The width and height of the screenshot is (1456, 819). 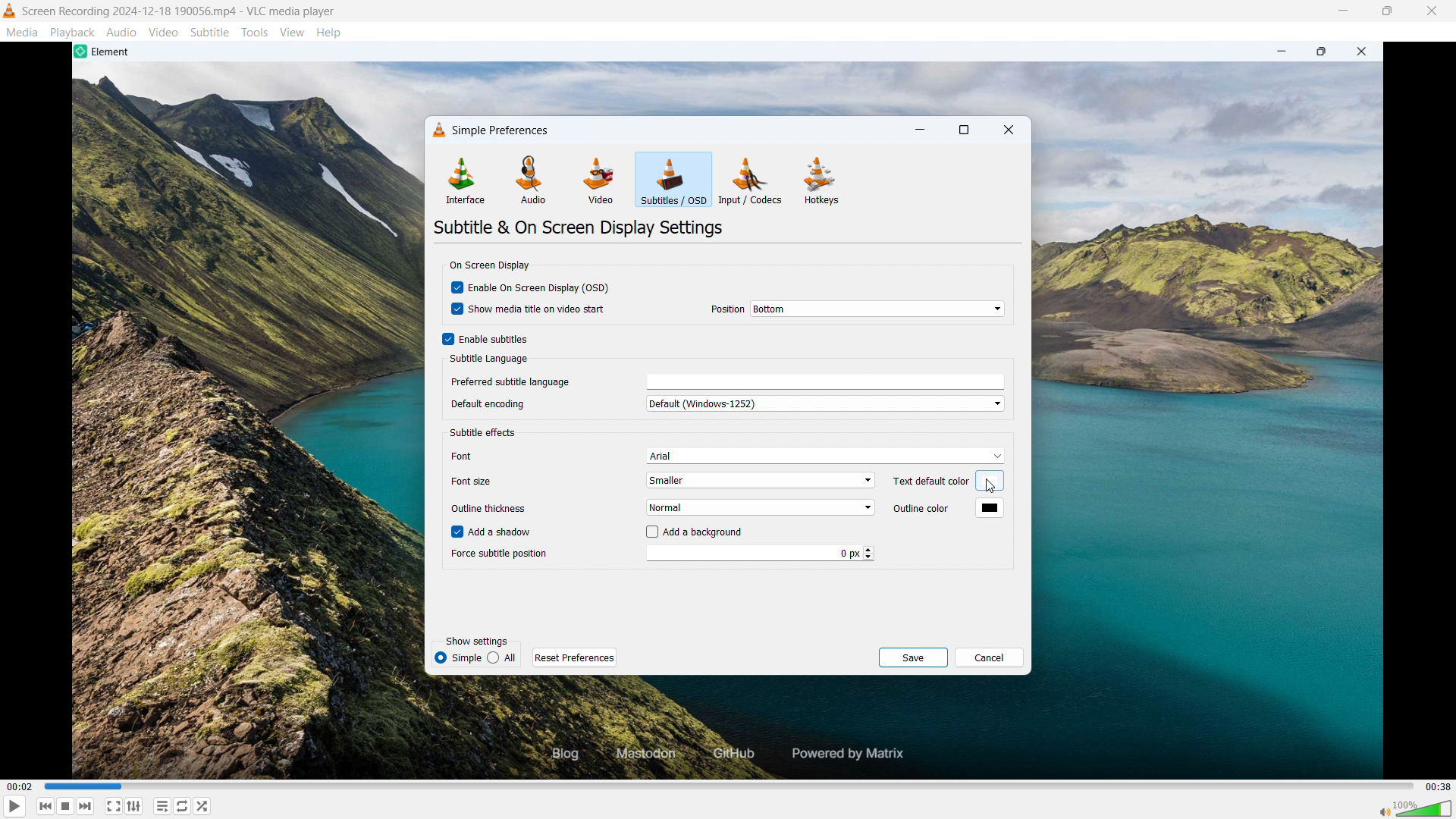 I want to click on Select default text colour , so click(x=989, y=482).